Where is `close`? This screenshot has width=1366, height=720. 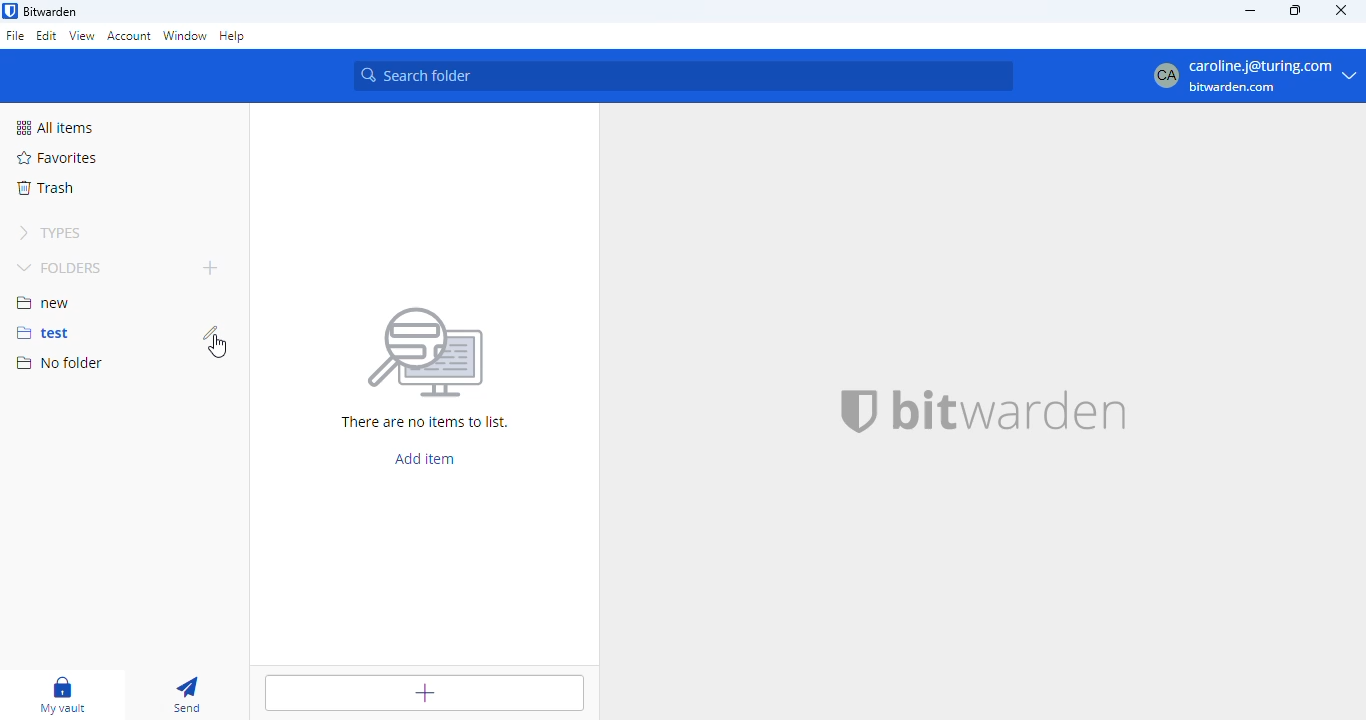
close is located at coordinates (1342, 10).